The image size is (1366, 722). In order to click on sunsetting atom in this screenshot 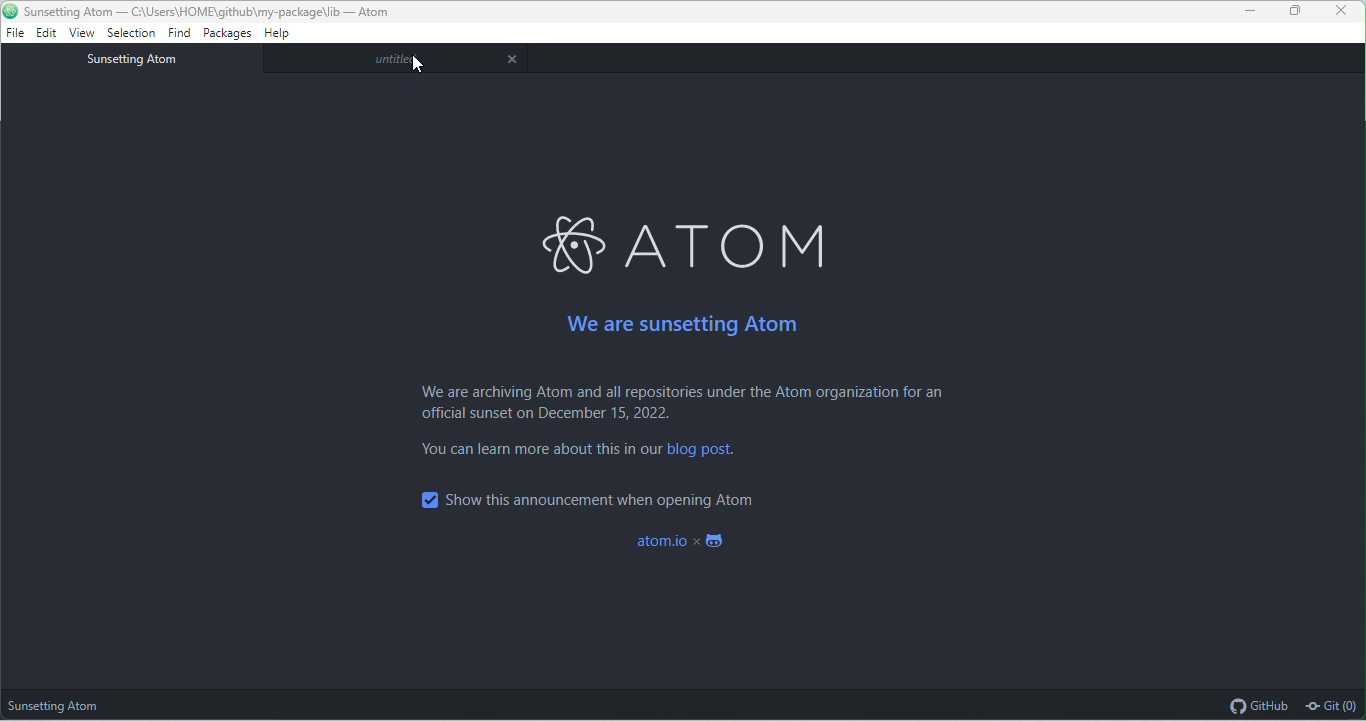, I will do `click(60, 708)`.